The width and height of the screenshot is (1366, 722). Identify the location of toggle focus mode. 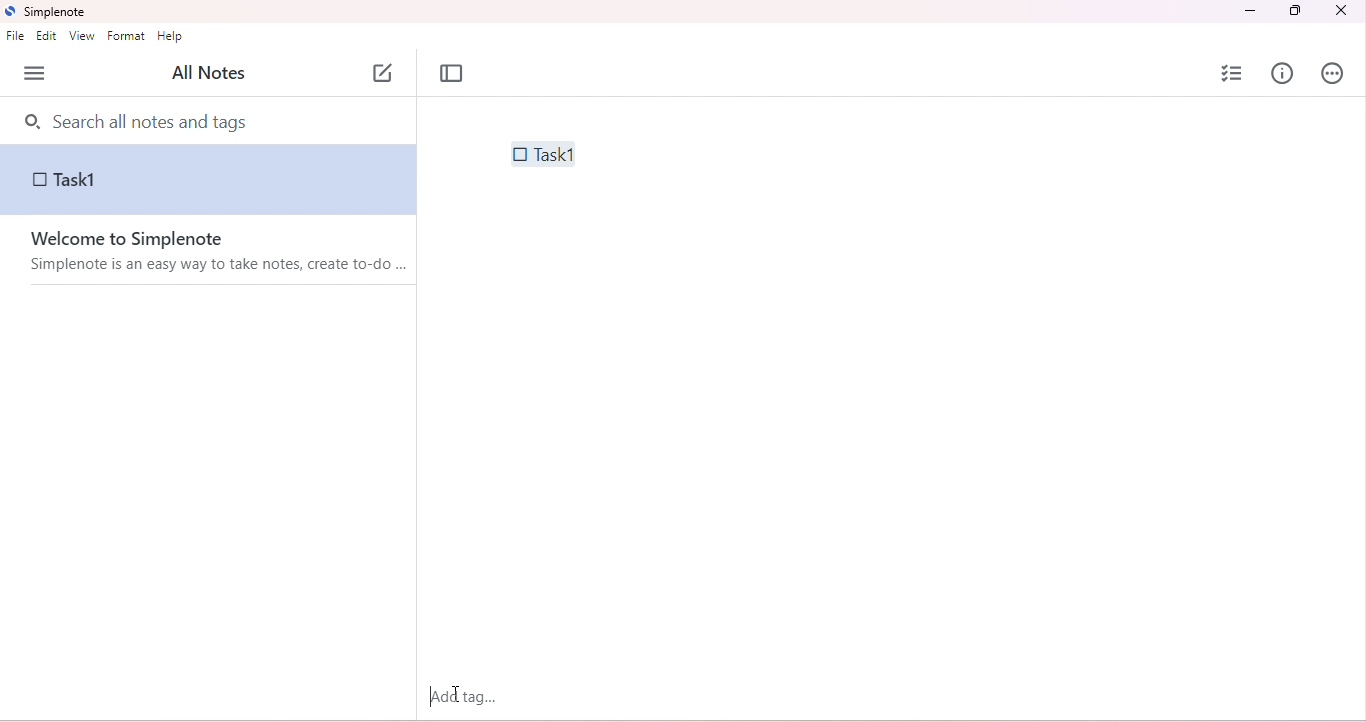
(452, 74).